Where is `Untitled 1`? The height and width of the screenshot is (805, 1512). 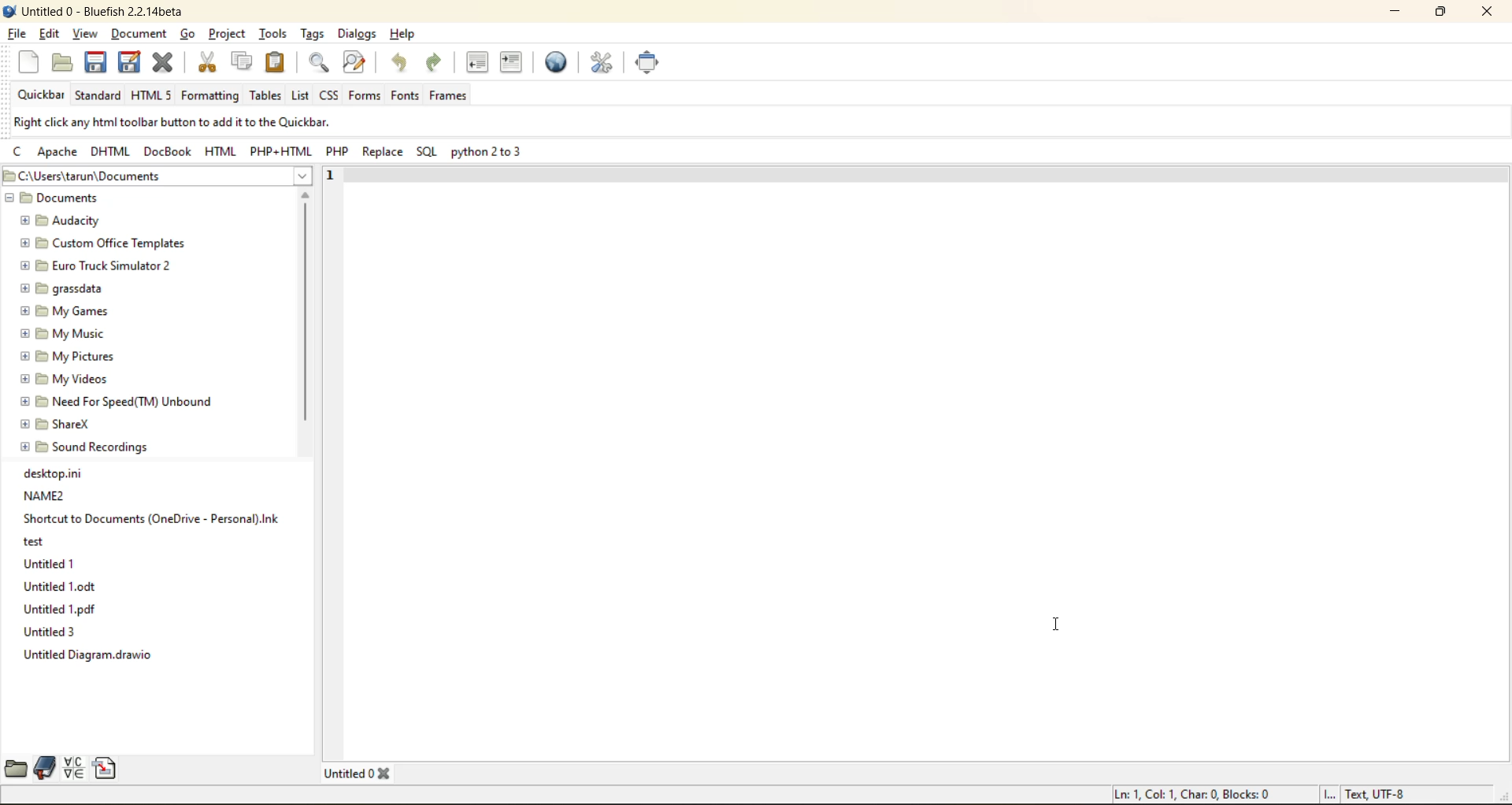 Untitled 1 is located at coordinates (48, 562).